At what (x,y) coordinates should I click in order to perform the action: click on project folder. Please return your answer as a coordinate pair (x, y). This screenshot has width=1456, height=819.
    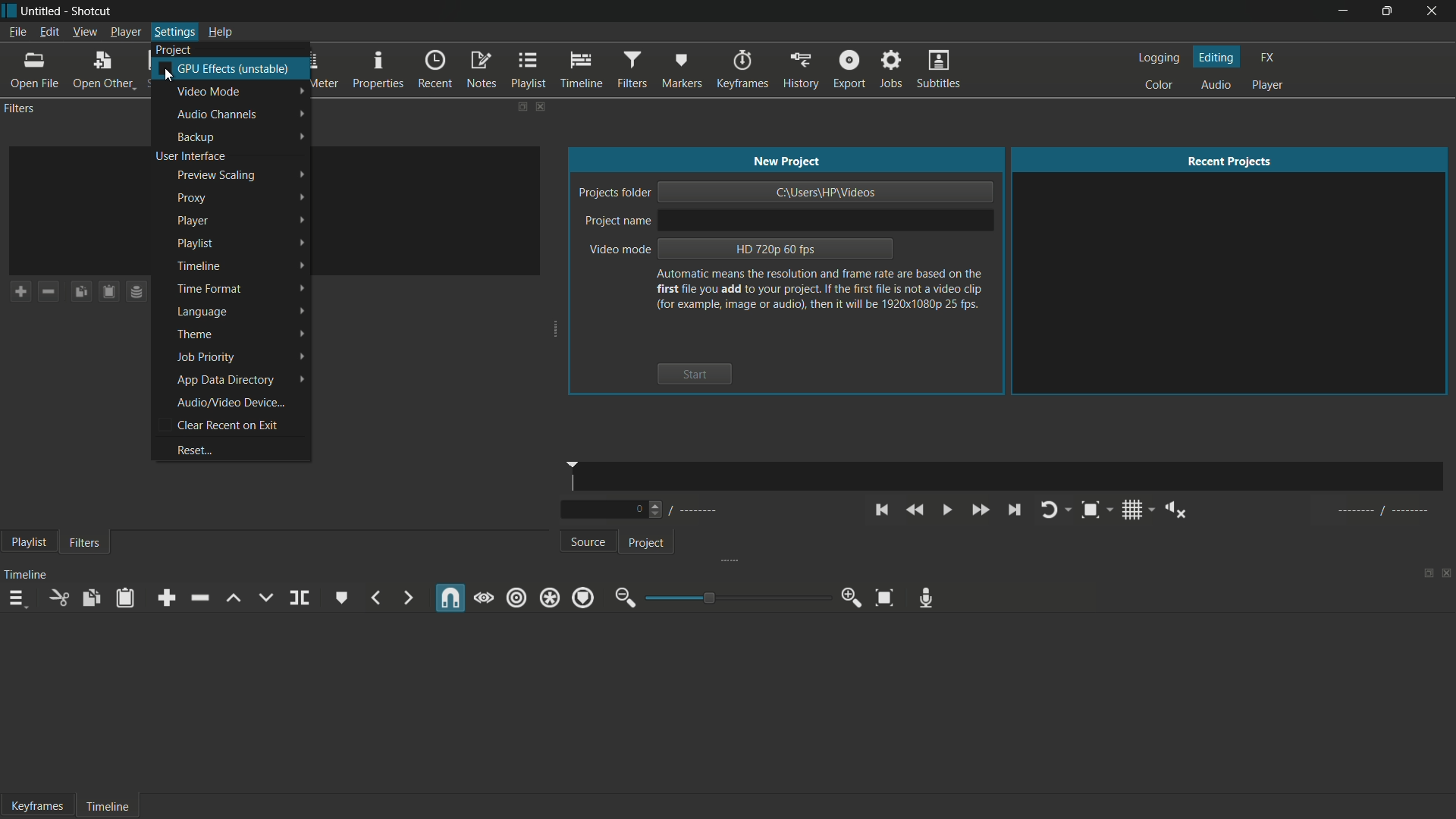
    Looking at the image, I should click on (613, 193).